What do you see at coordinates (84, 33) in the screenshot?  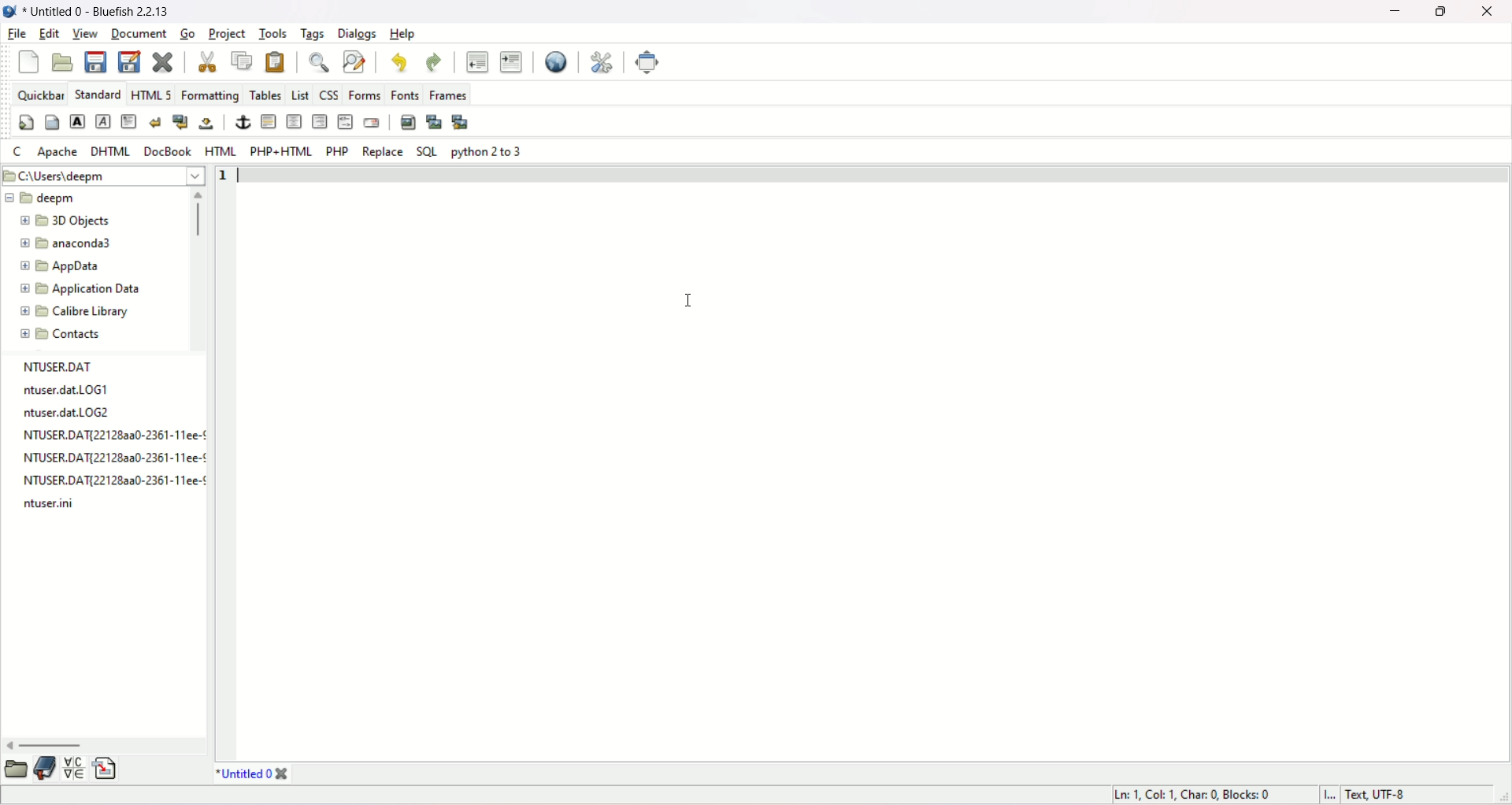 I see `view` at bounding box center [84, 33].